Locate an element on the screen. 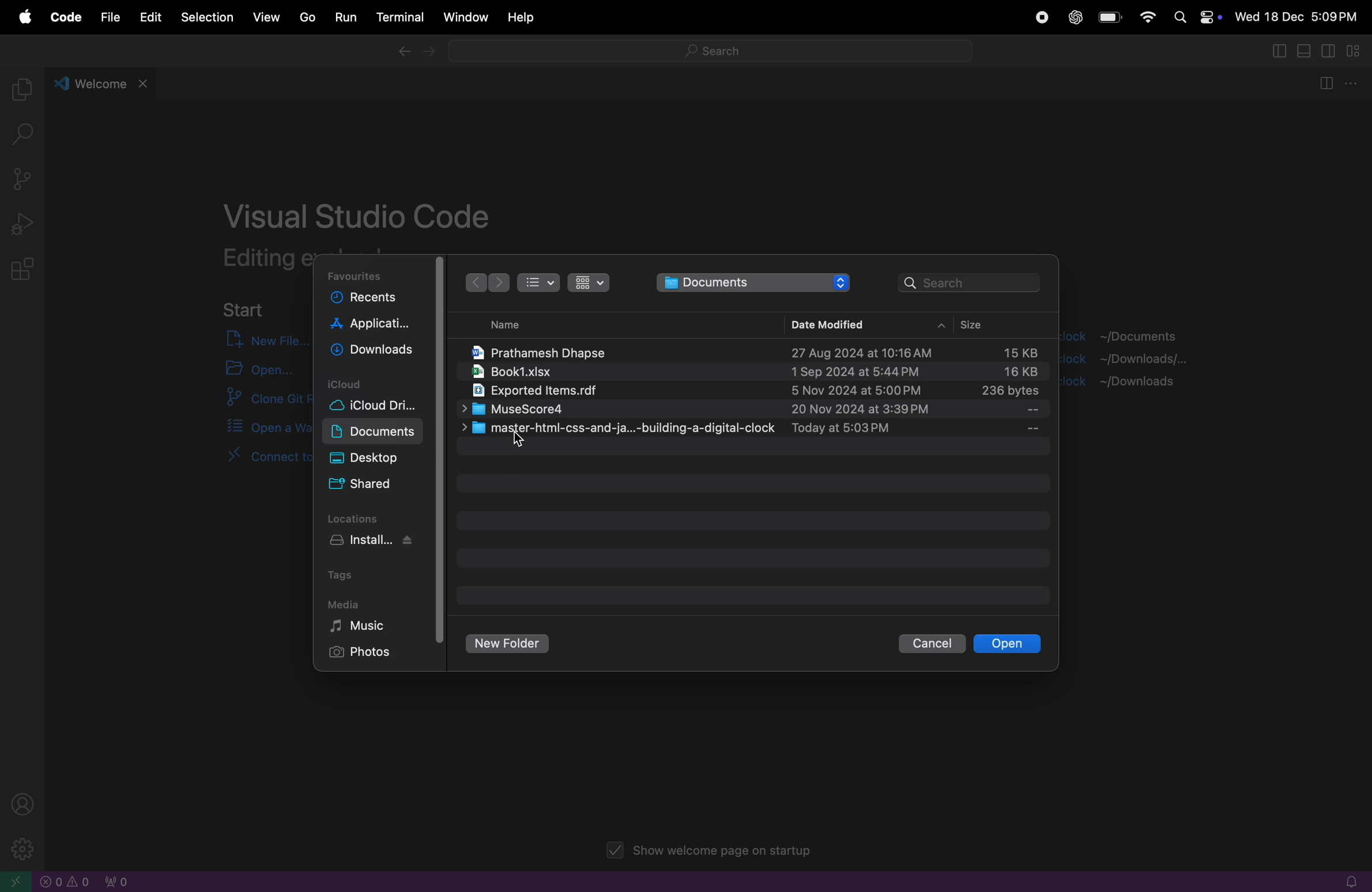  search is located at coordinates (28, 136).